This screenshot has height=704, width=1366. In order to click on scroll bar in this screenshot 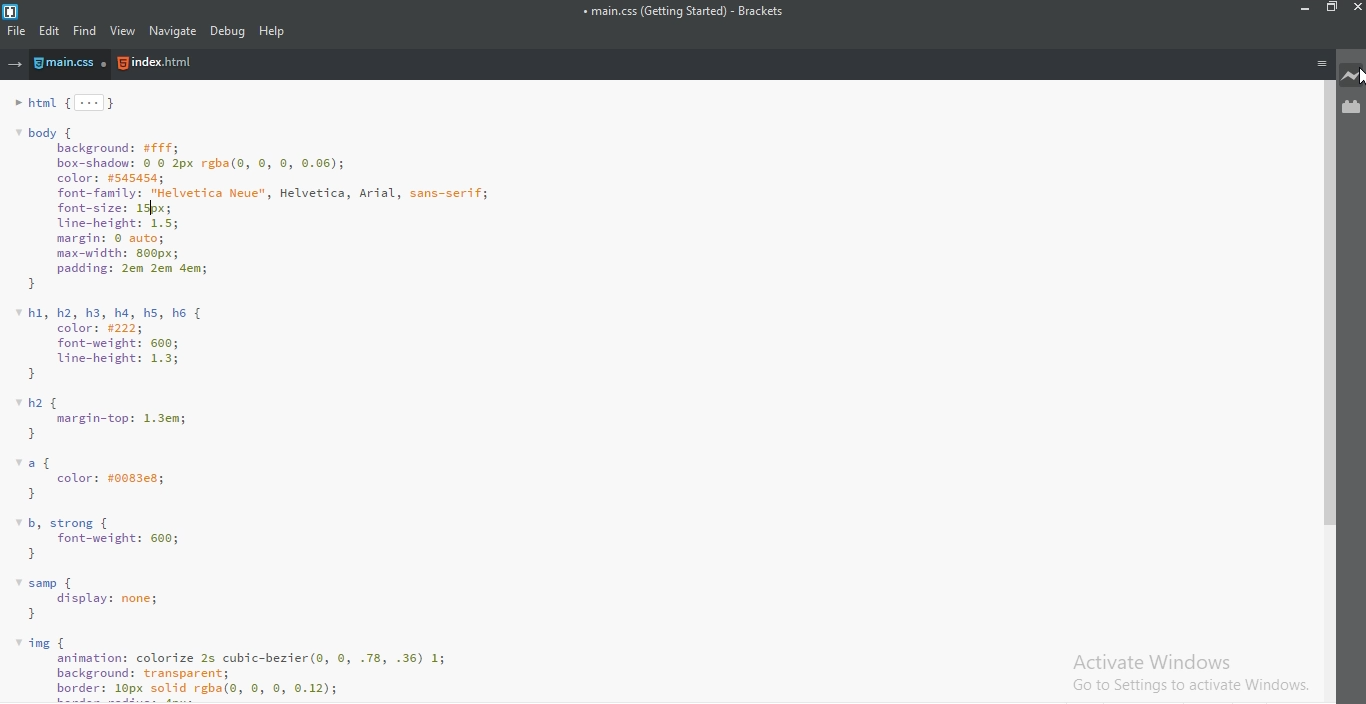, I will do `click(1324, 302)`.